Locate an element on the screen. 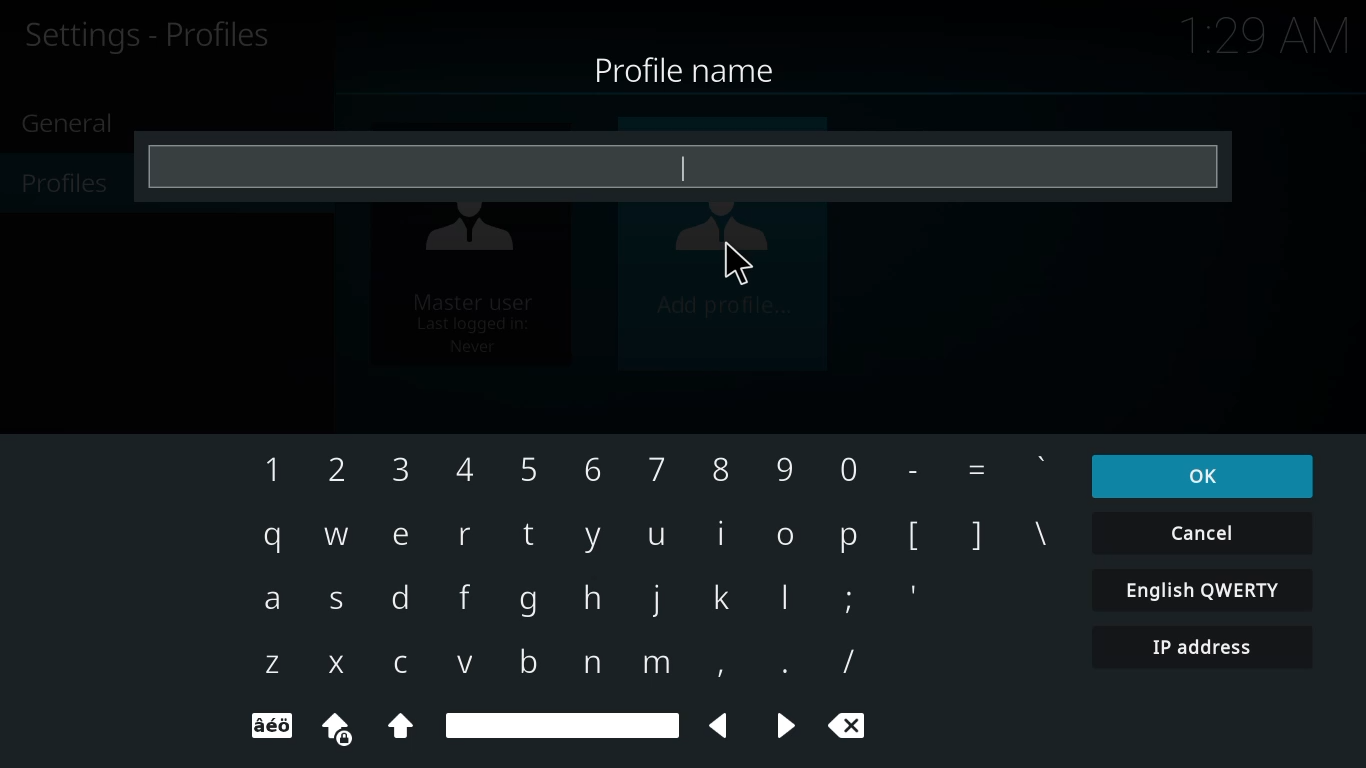  c is located at coordinates (401, 661).